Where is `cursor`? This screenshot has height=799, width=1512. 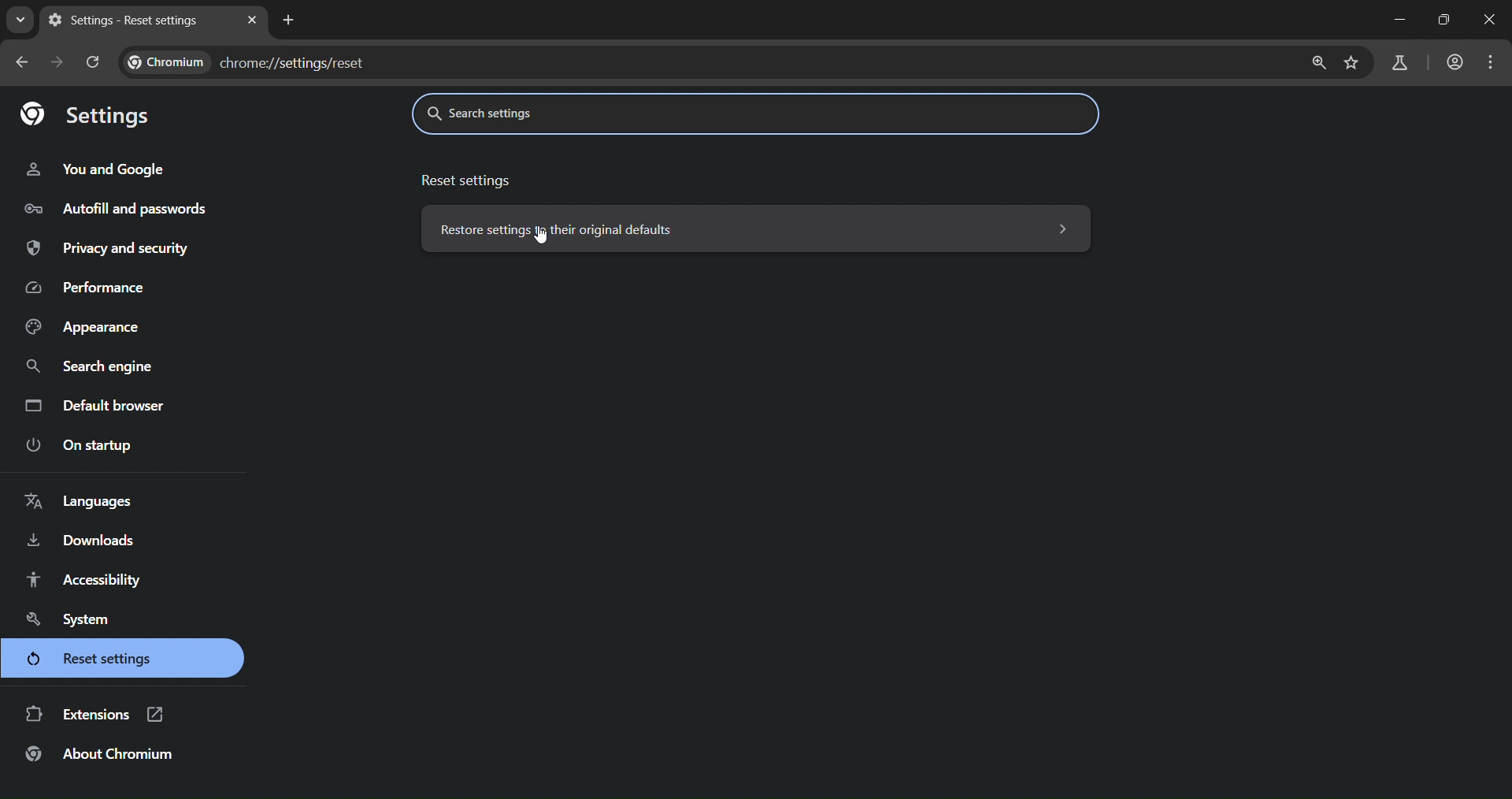
cursor is located at coordinates (543, 242).